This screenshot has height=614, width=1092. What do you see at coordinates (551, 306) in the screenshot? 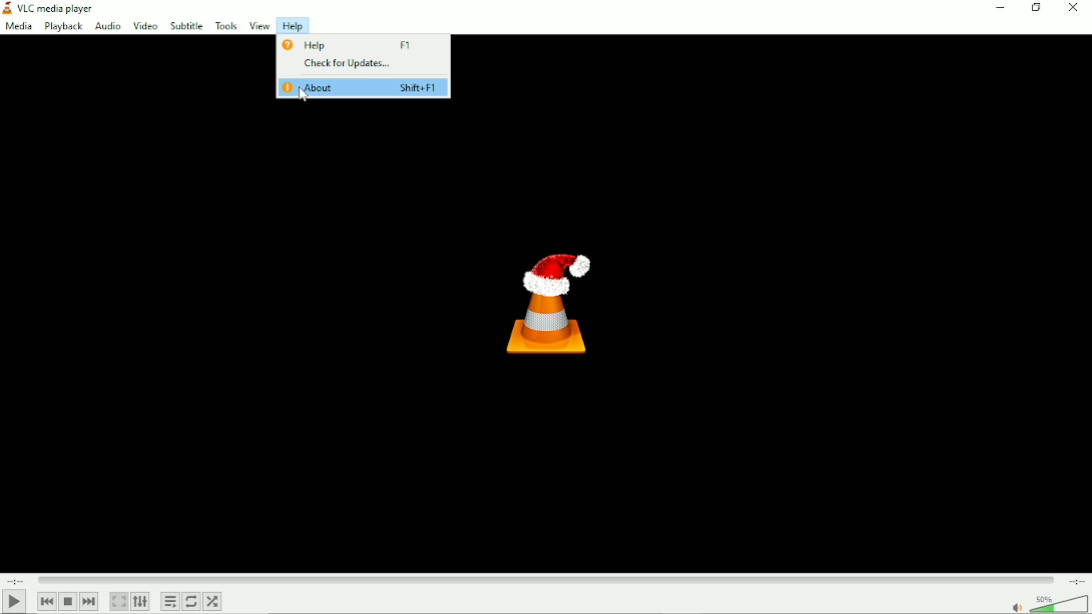
I see `Logo` at bounding box center [551, 306].